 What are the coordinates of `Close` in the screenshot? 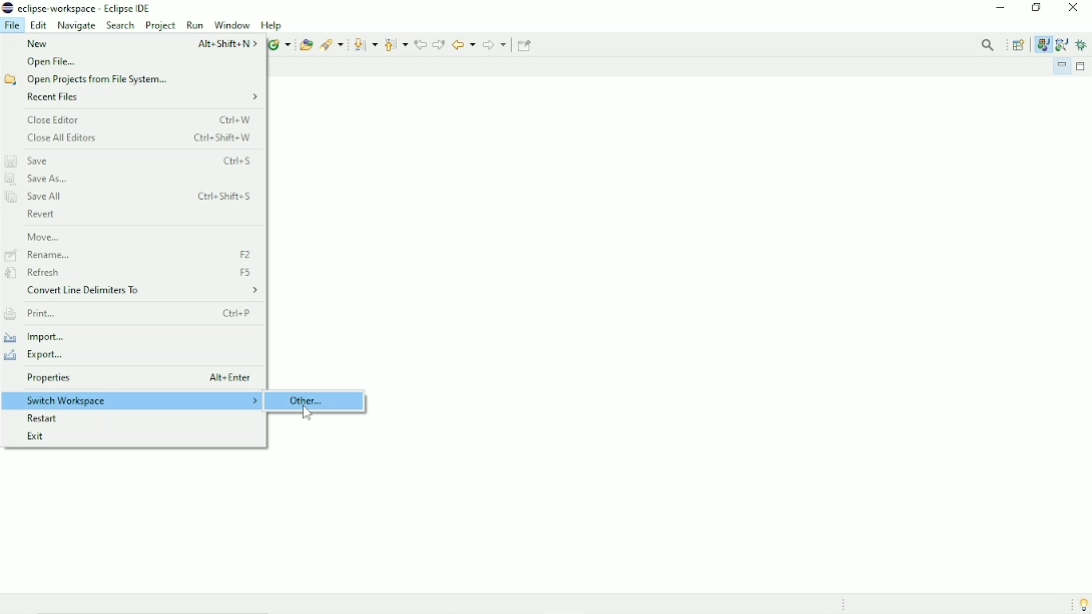 It's located at (1074, 9).